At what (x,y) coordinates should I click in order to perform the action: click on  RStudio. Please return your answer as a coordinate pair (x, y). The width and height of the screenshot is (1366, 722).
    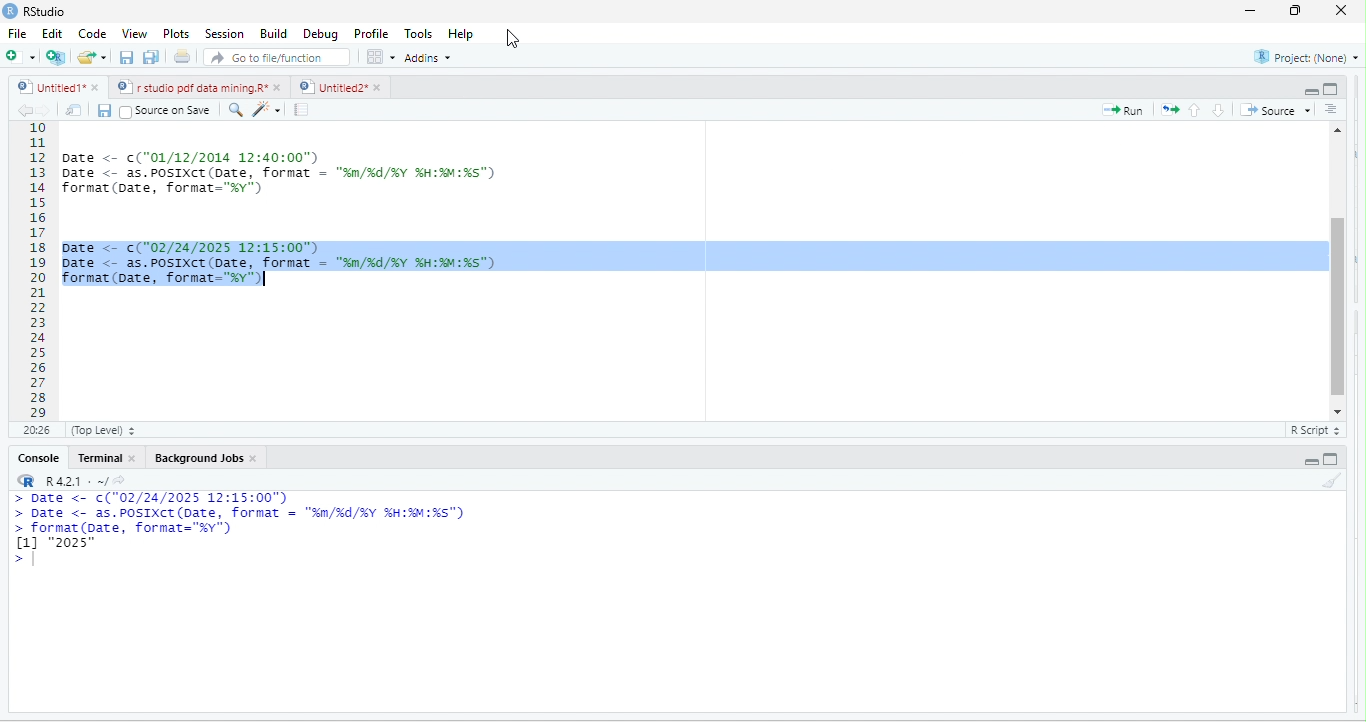
    Looking at the image, I should click on (43, 12).